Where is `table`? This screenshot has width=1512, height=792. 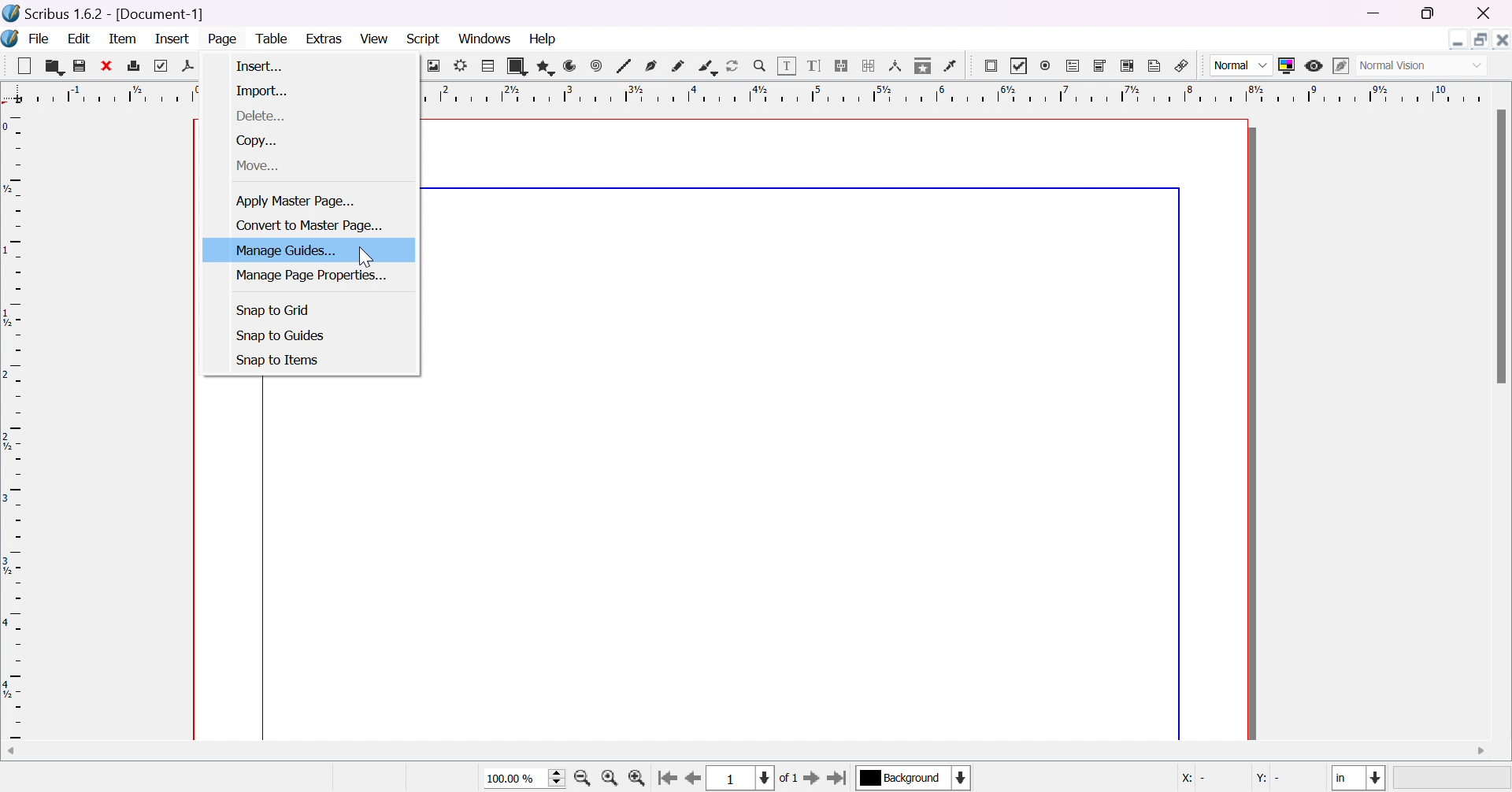
table is located at coordinates (490, 68).